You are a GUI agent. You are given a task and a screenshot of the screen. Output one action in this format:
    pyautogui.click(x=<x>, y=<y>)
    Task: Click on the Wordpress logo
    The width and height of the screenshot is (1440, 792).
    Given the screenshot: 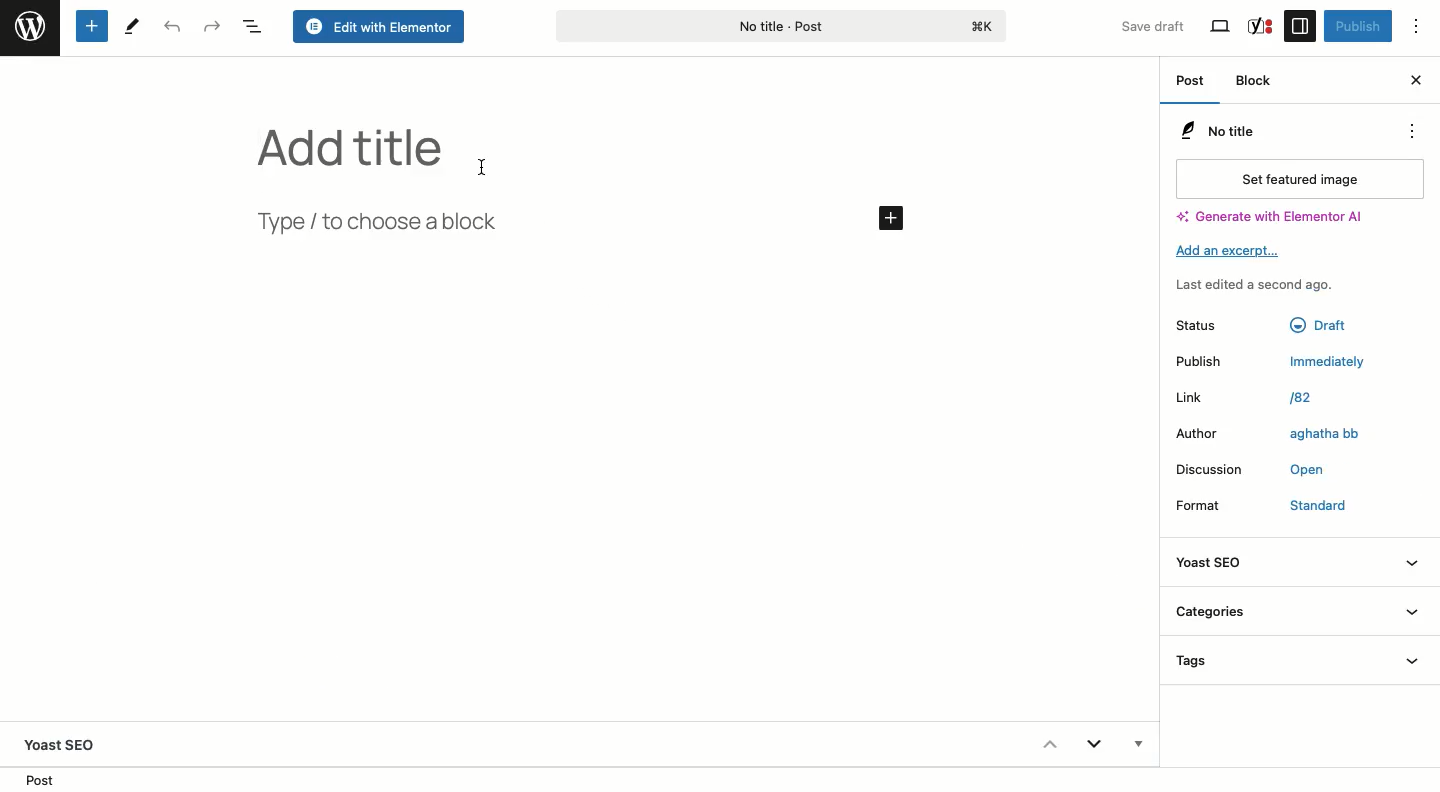 What is the action you would take?
    pyautogui.click(x=30, y=27)
    